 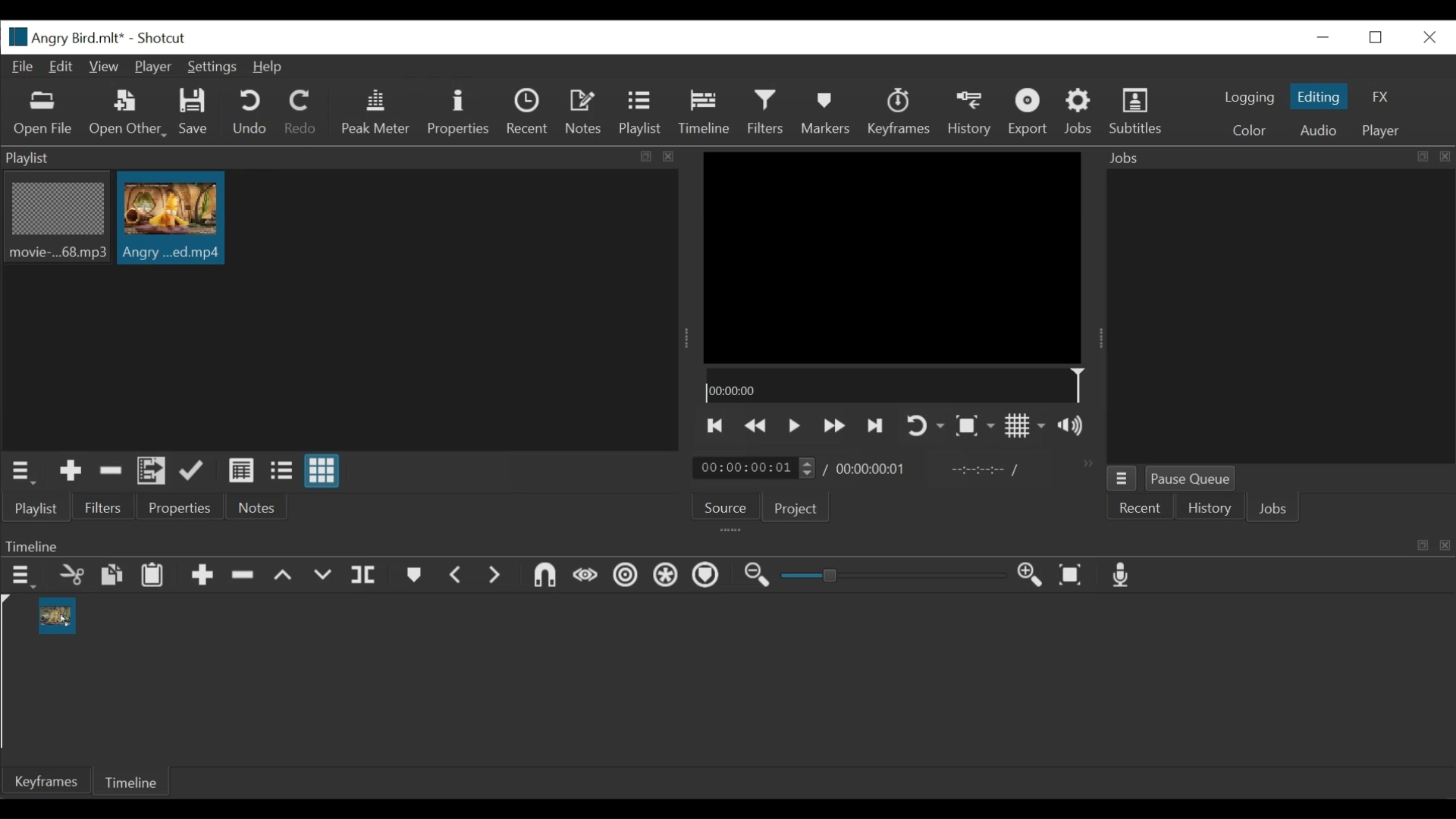 What do you see at coordinates (708, 576) in the screenshot?
I see `Ripple Markers` at bounding box center [708, 576].